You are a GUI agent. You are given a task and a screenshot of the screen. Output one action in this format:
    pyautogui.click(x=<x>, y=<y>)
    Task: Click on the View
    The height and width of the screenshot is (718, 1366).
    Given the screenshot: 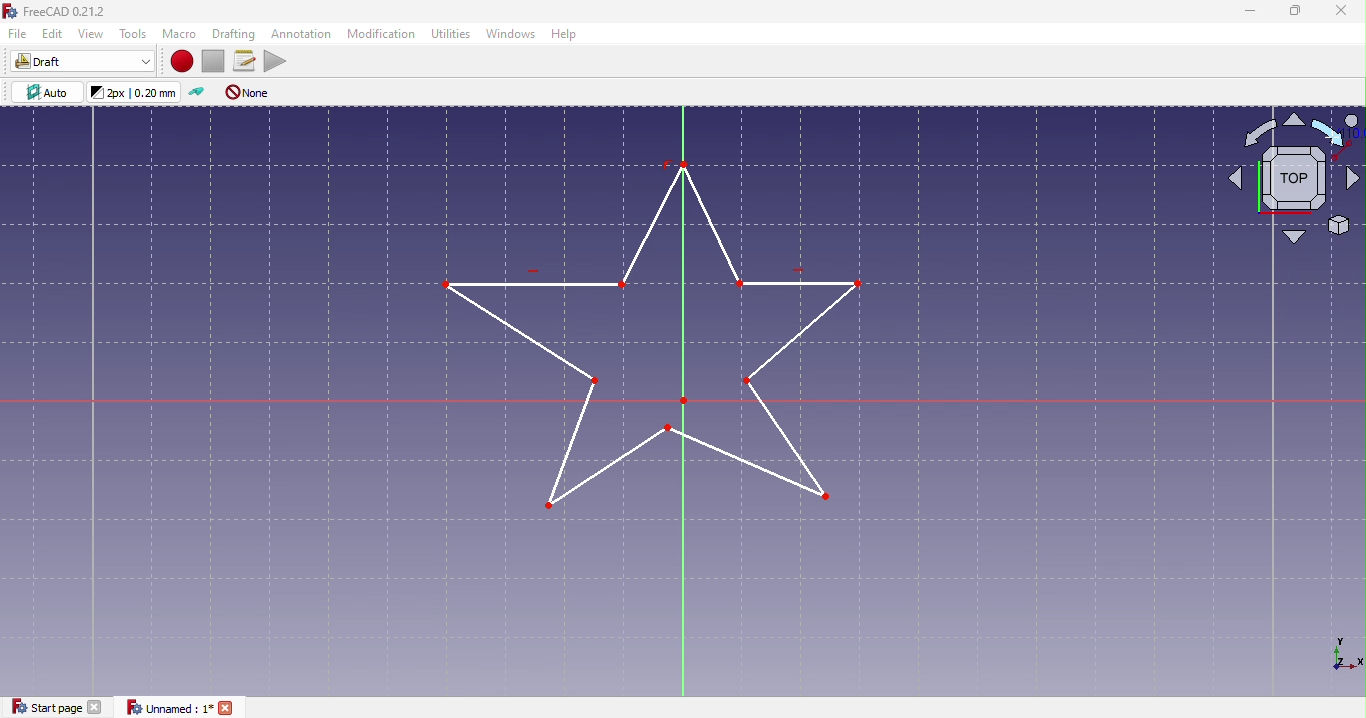 What is the action you would take?
    pyautogui.click(x=95, y=34)
    